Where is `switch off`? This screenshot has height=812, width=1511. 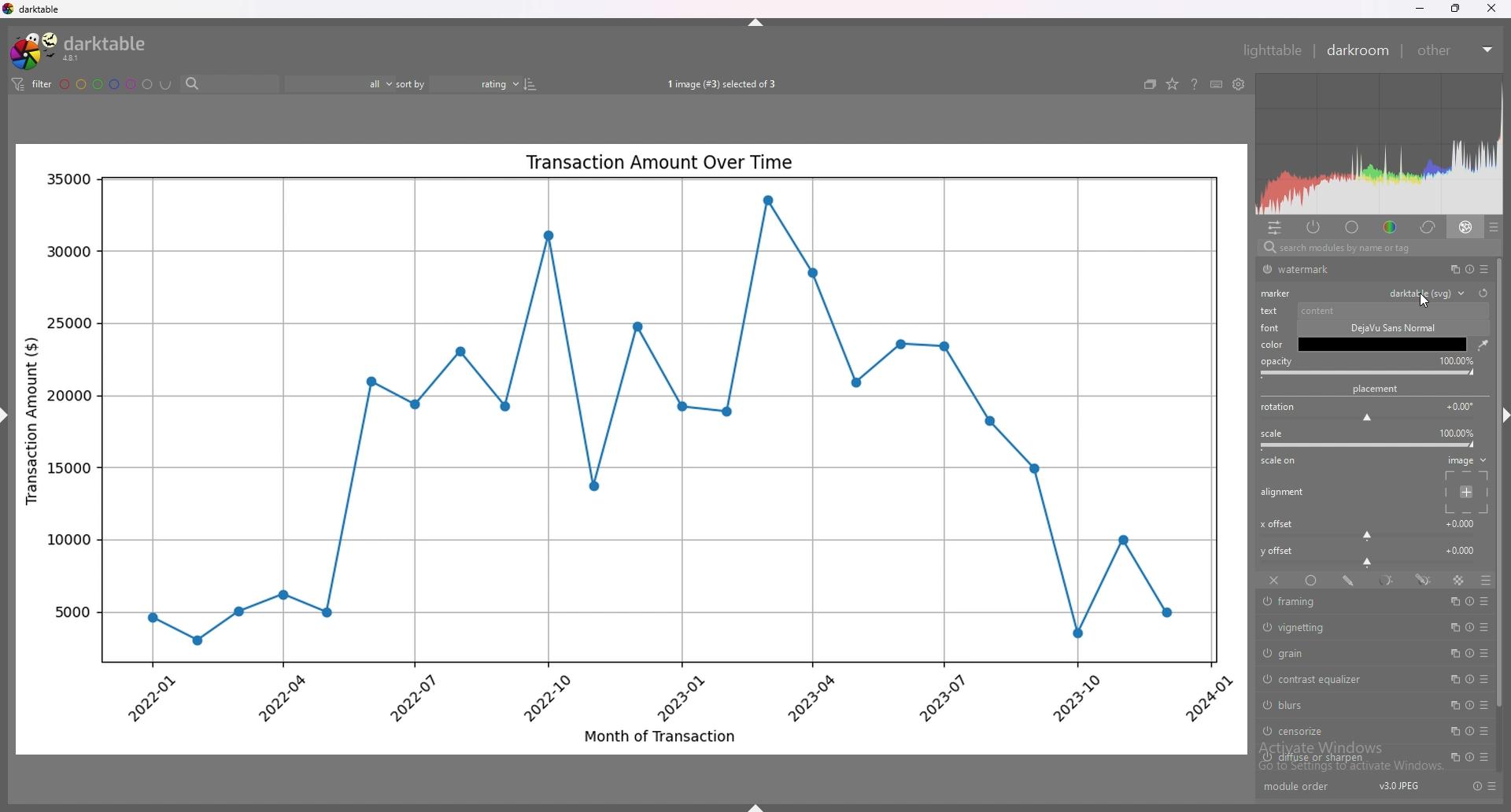
switch off is located at coordinates (1267, 706).